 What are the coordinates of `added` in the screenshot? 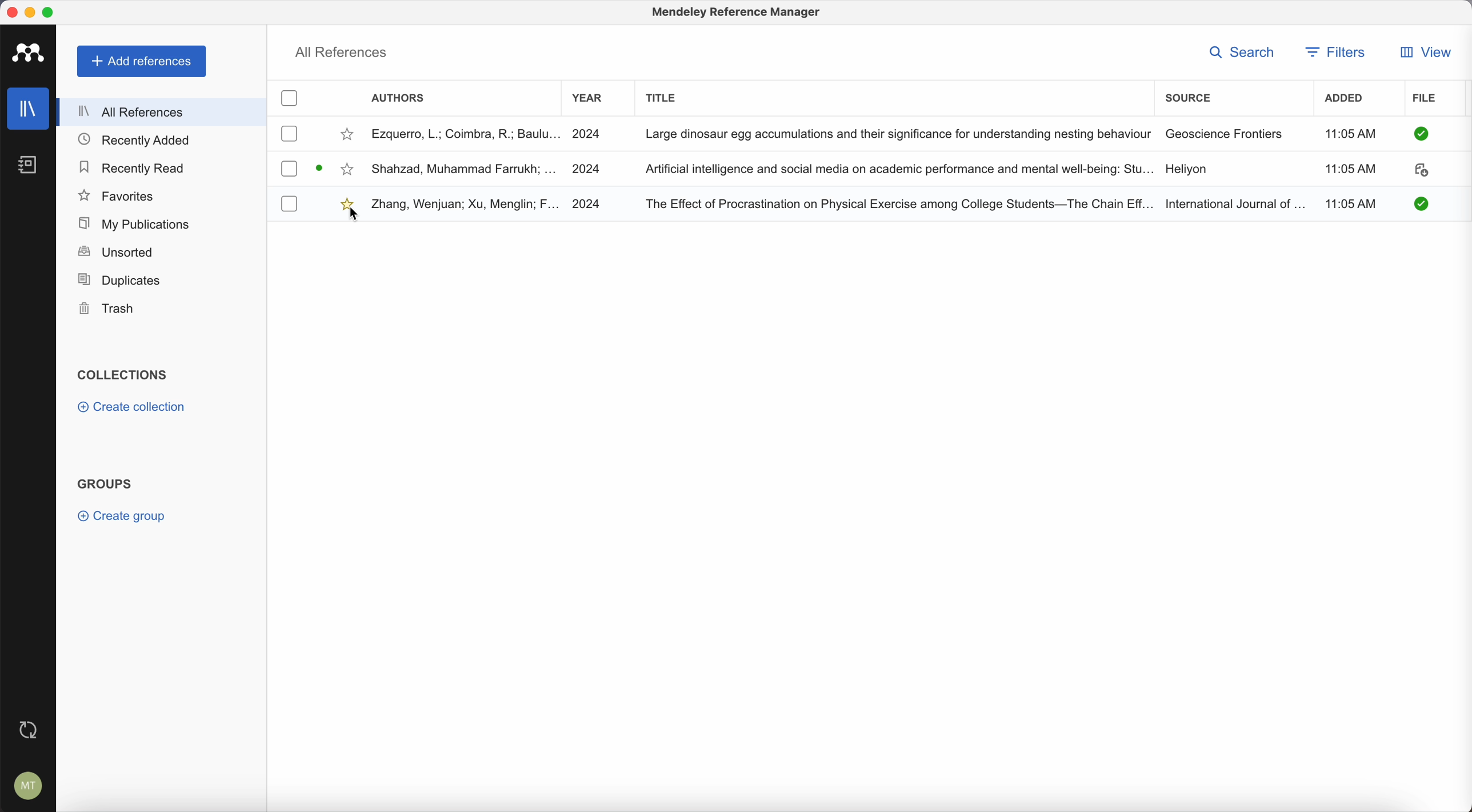 It's located at (1349, 100).